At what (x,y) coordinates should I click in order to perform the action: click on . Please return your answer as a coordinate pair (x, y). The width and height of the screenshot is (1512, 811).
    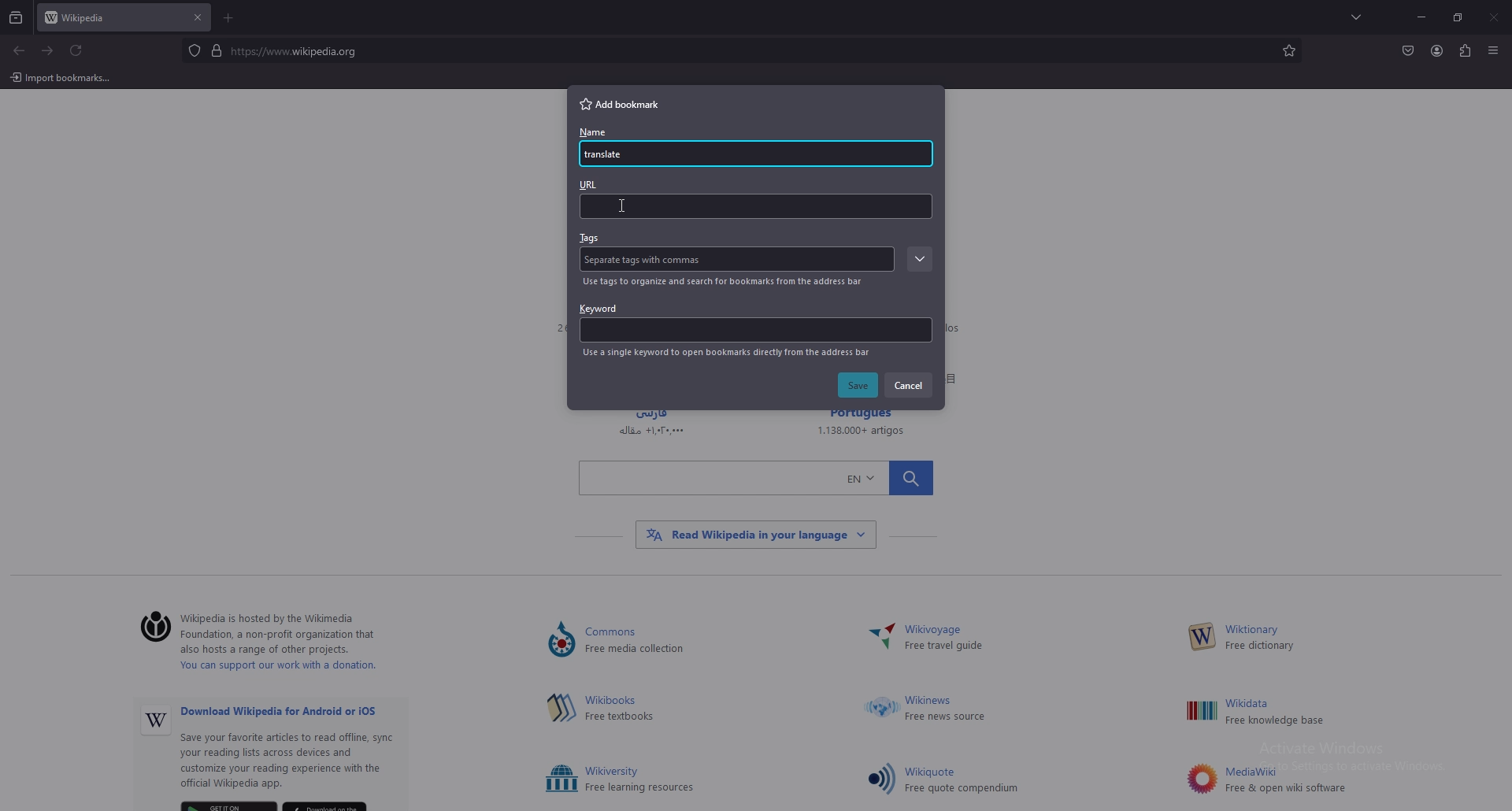
    Looking at the image, I should click on (882, 709).